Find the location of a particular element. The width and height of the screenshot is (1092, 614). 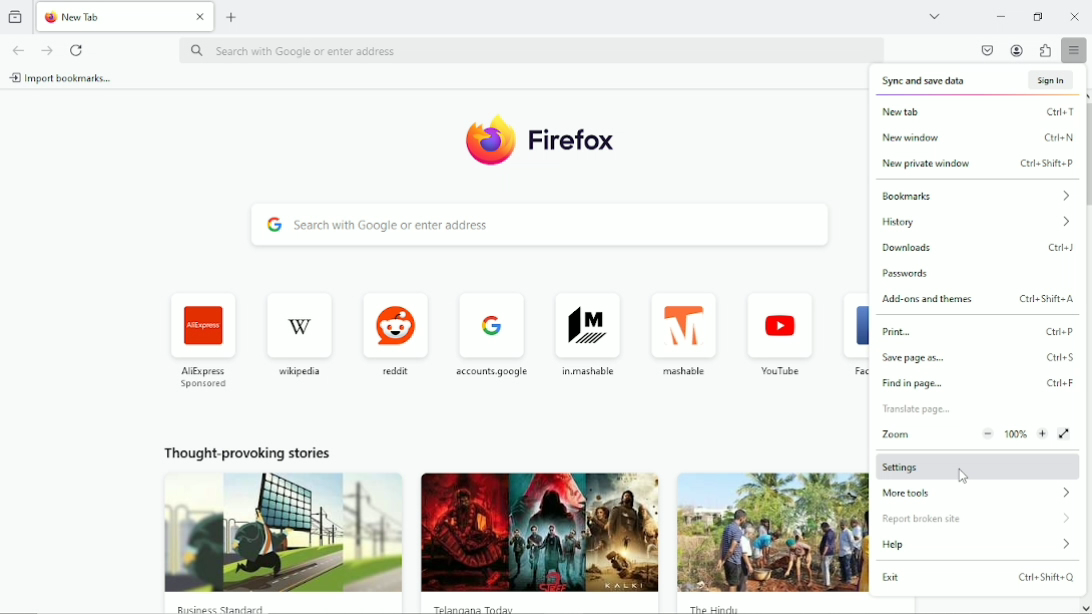

New window is located at coordinates (978, 138).